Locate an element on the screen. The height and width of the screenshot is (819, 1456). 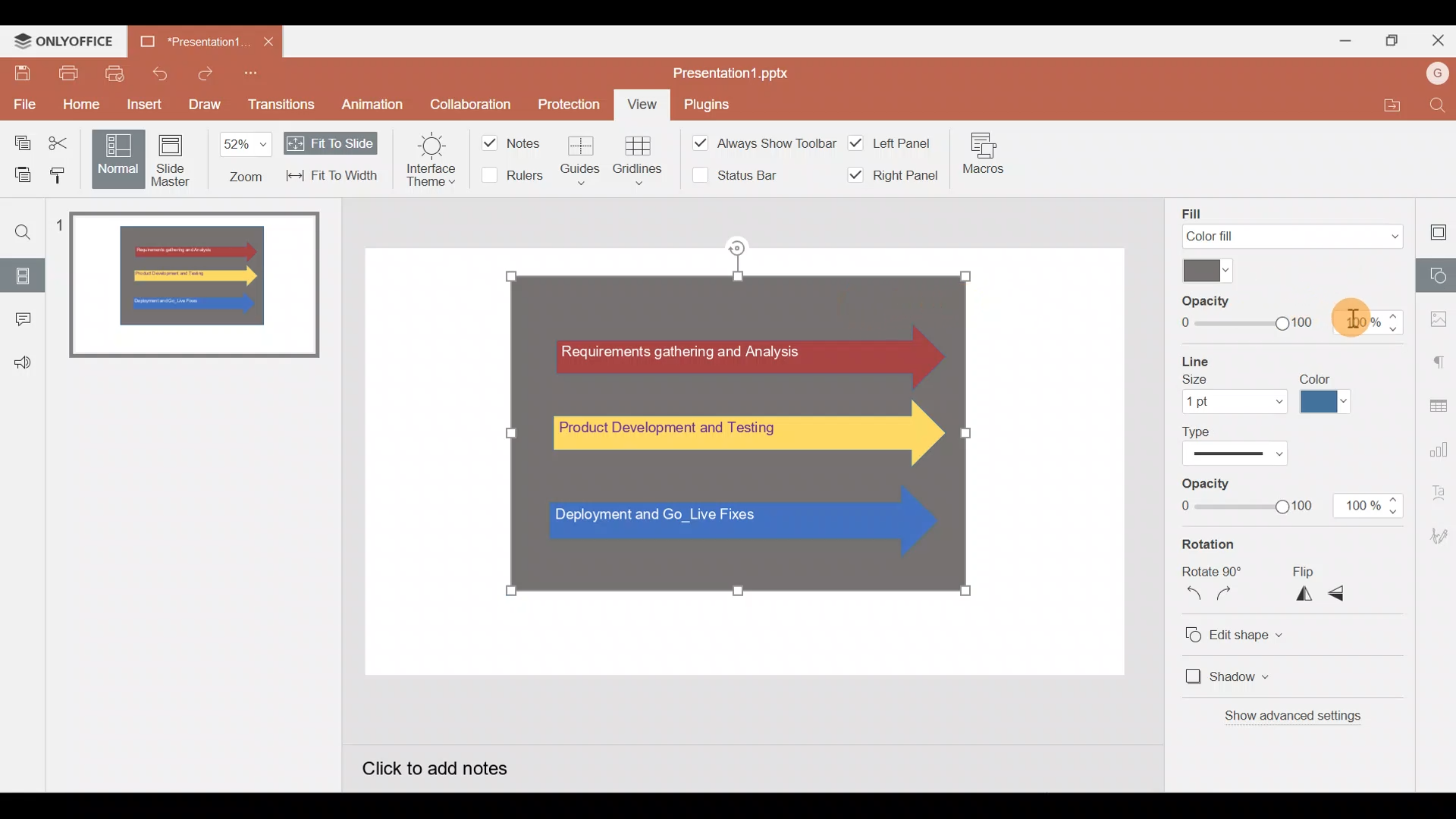
Account name is located at coordinates (1433, 75).